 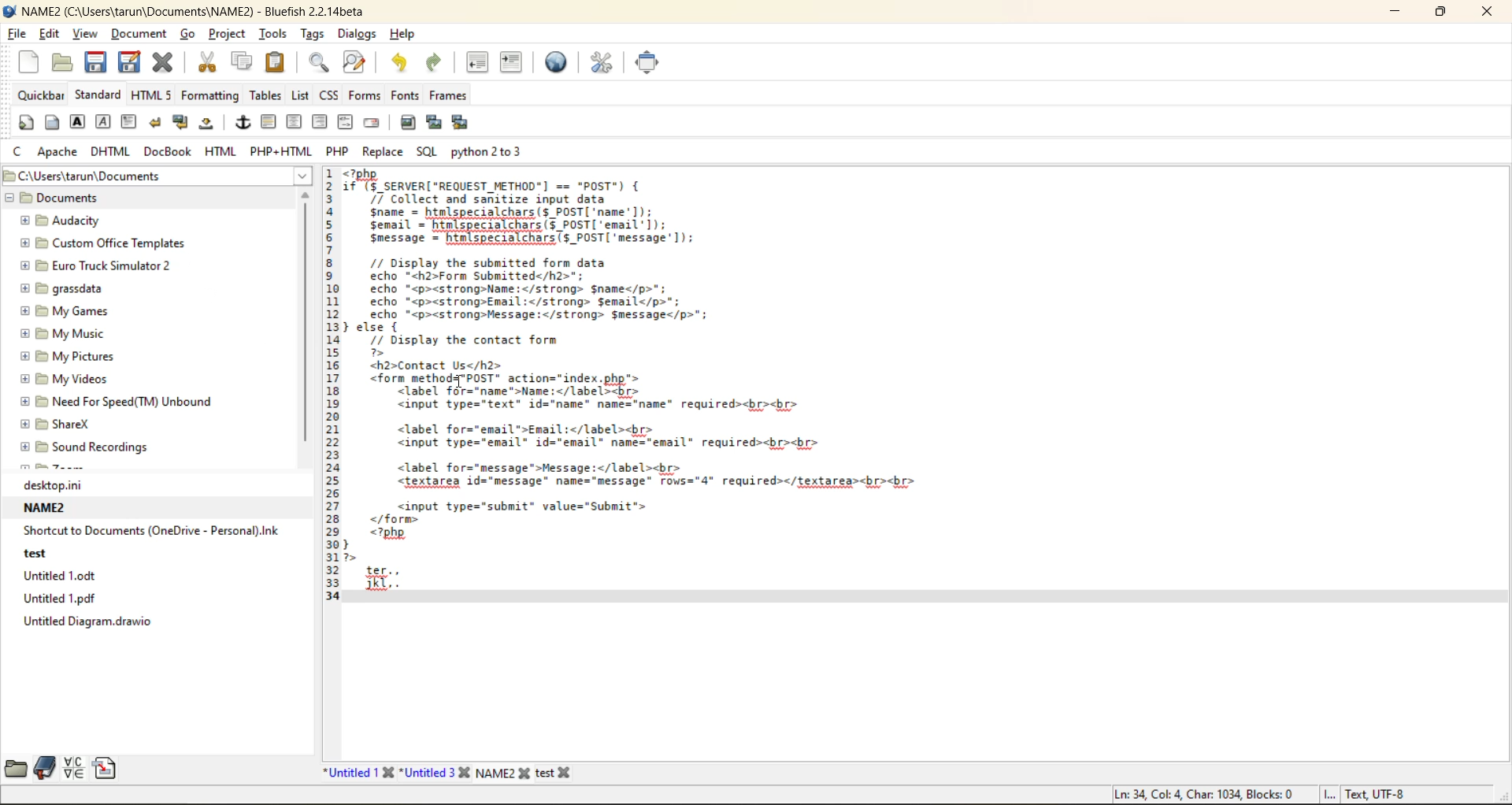 I want to click on horizontal rule, so click(x=268, y=123).